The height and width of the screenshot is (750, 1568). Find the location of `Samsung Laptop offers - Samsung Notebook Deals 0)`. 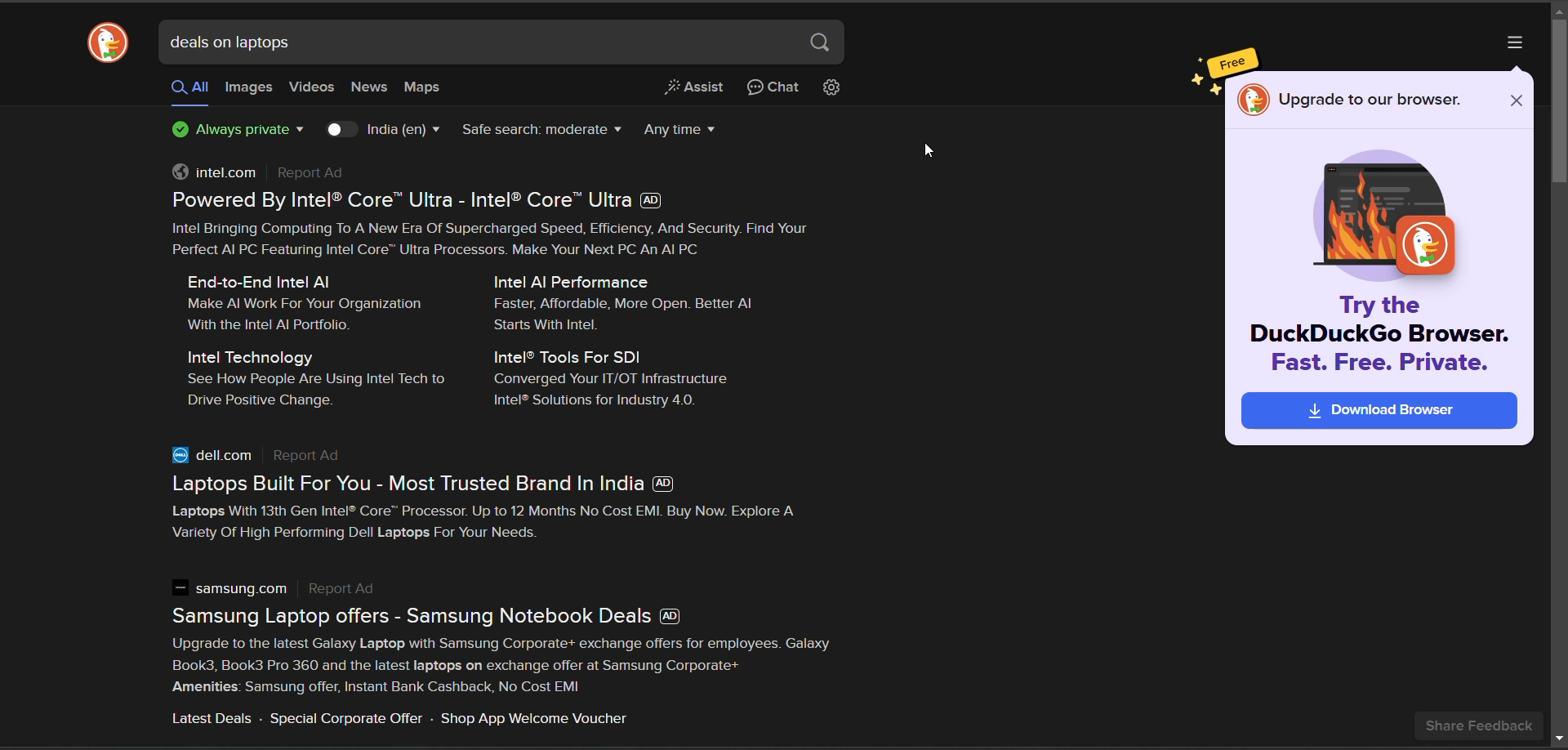

Samsung Laptop offers - Samsung Notebook Deals 0) is located at coordinates (443, 616).